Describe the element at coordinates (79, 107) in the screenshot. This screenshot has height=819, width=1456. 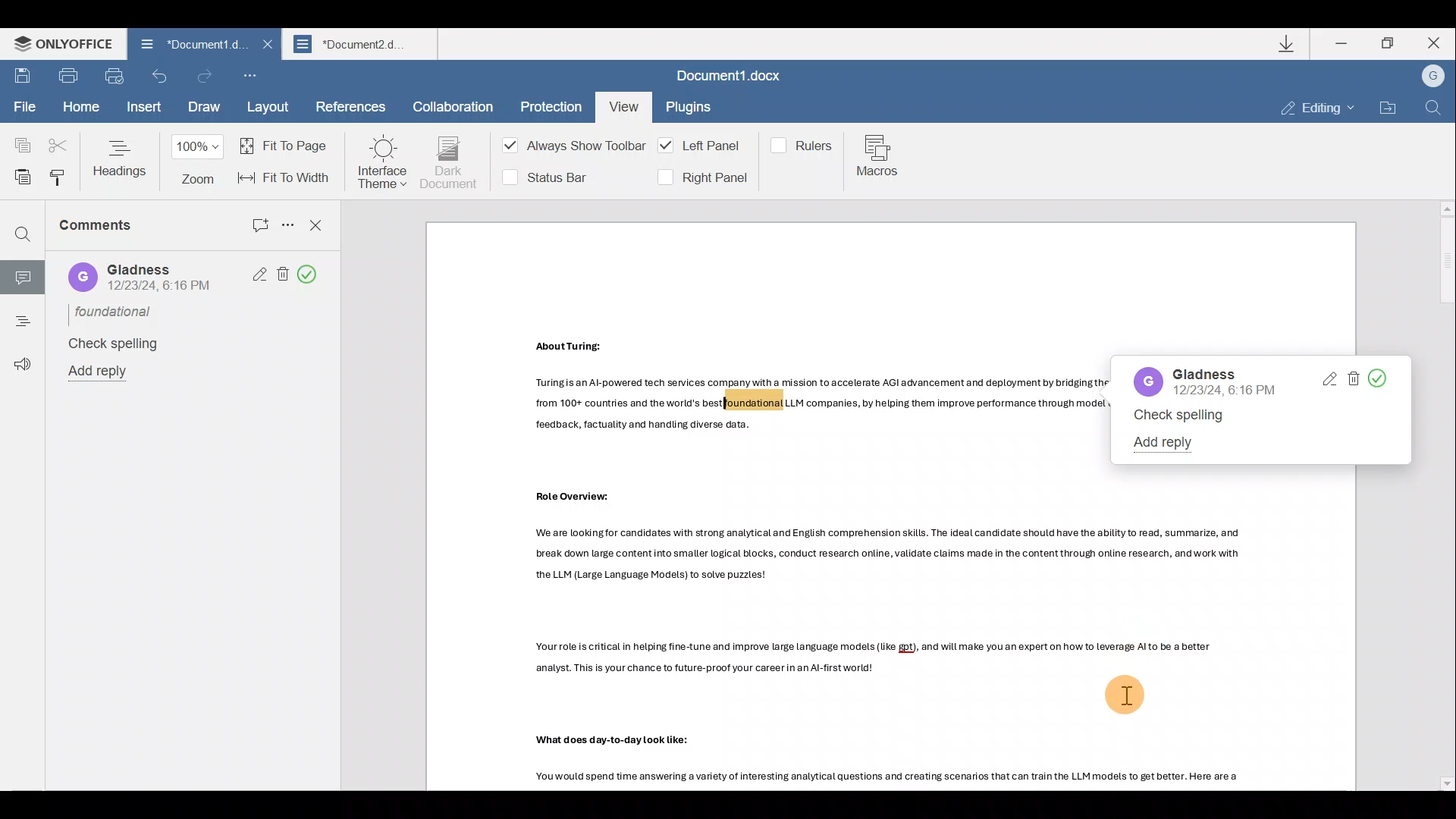
I see `Home` at that location.